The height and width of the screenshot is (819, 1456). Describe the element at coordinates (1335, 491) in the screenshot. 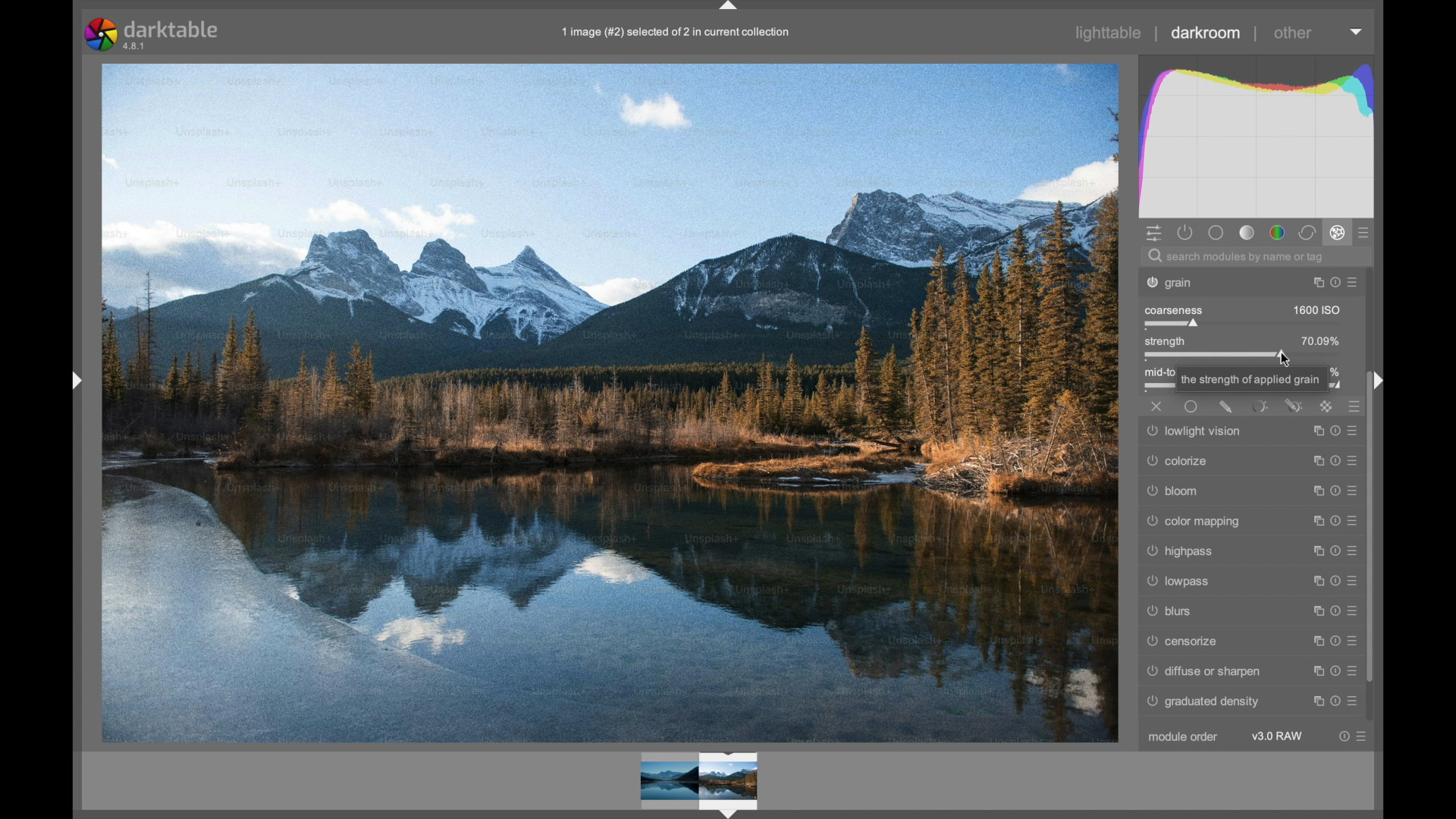

I see `reset parameters` at that location.